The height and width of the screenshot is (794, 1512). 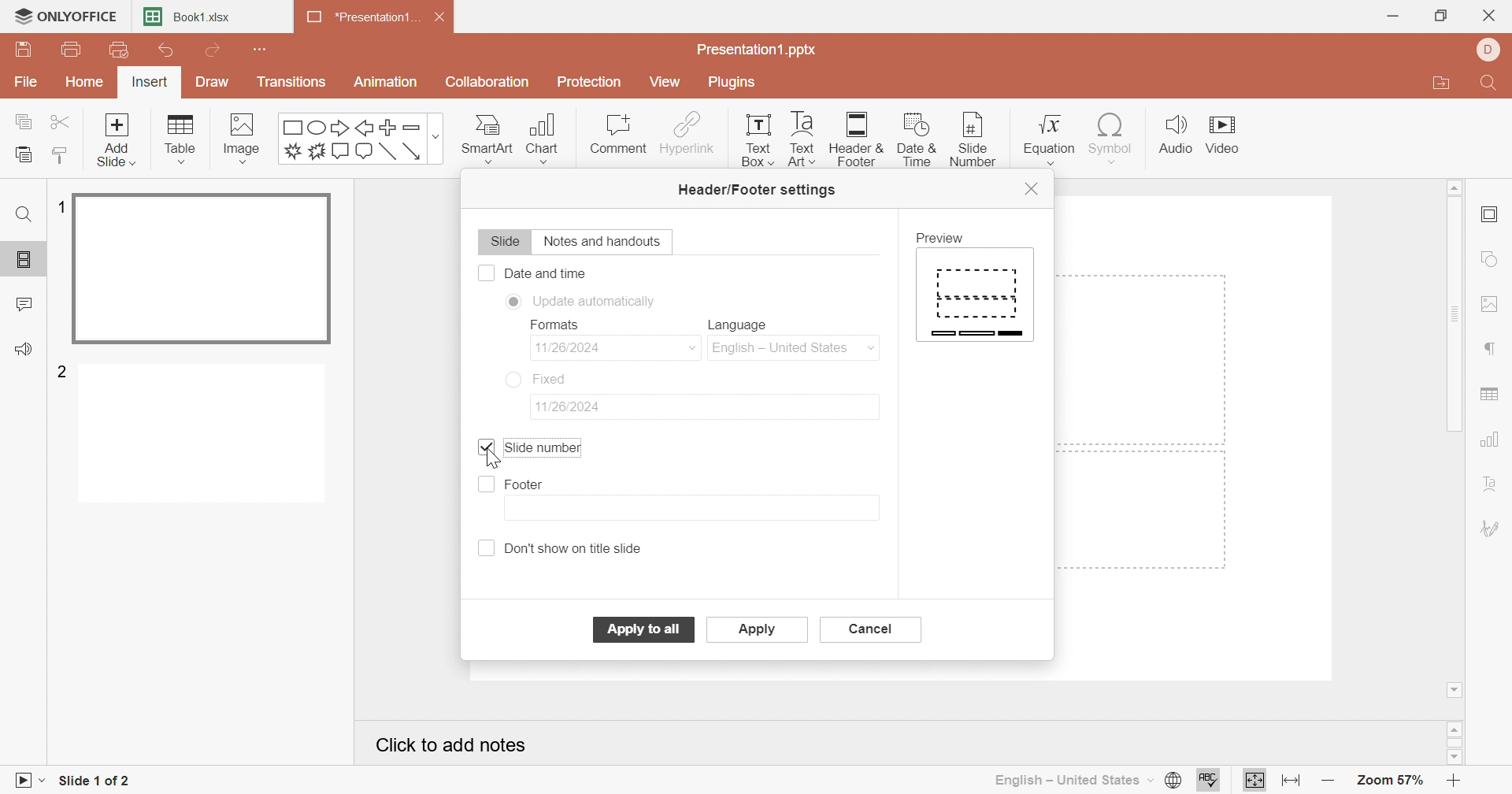 What do you see at coordinates (1454, 185) in the screenshot?
I see `Scroll Up` at bounding box center [1454, 185].